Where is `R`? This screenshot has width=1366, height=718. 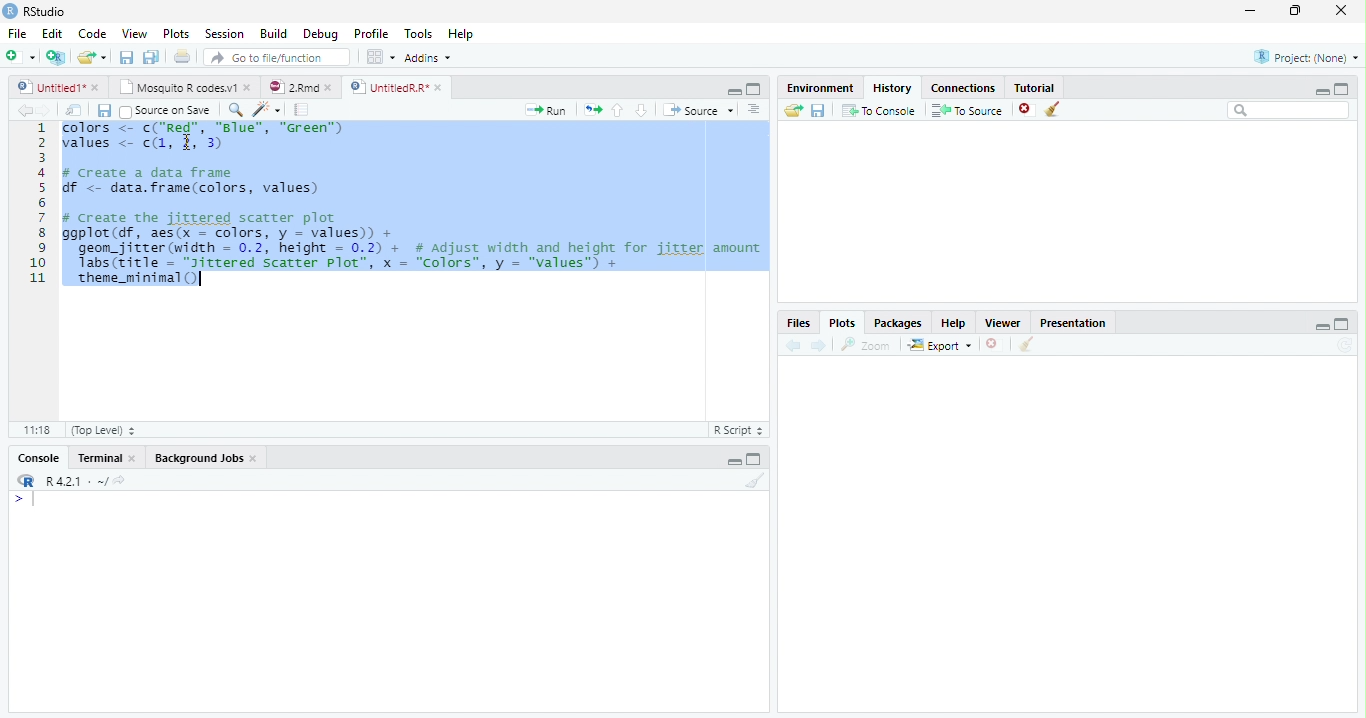
R is located at coordinates (25, 481).